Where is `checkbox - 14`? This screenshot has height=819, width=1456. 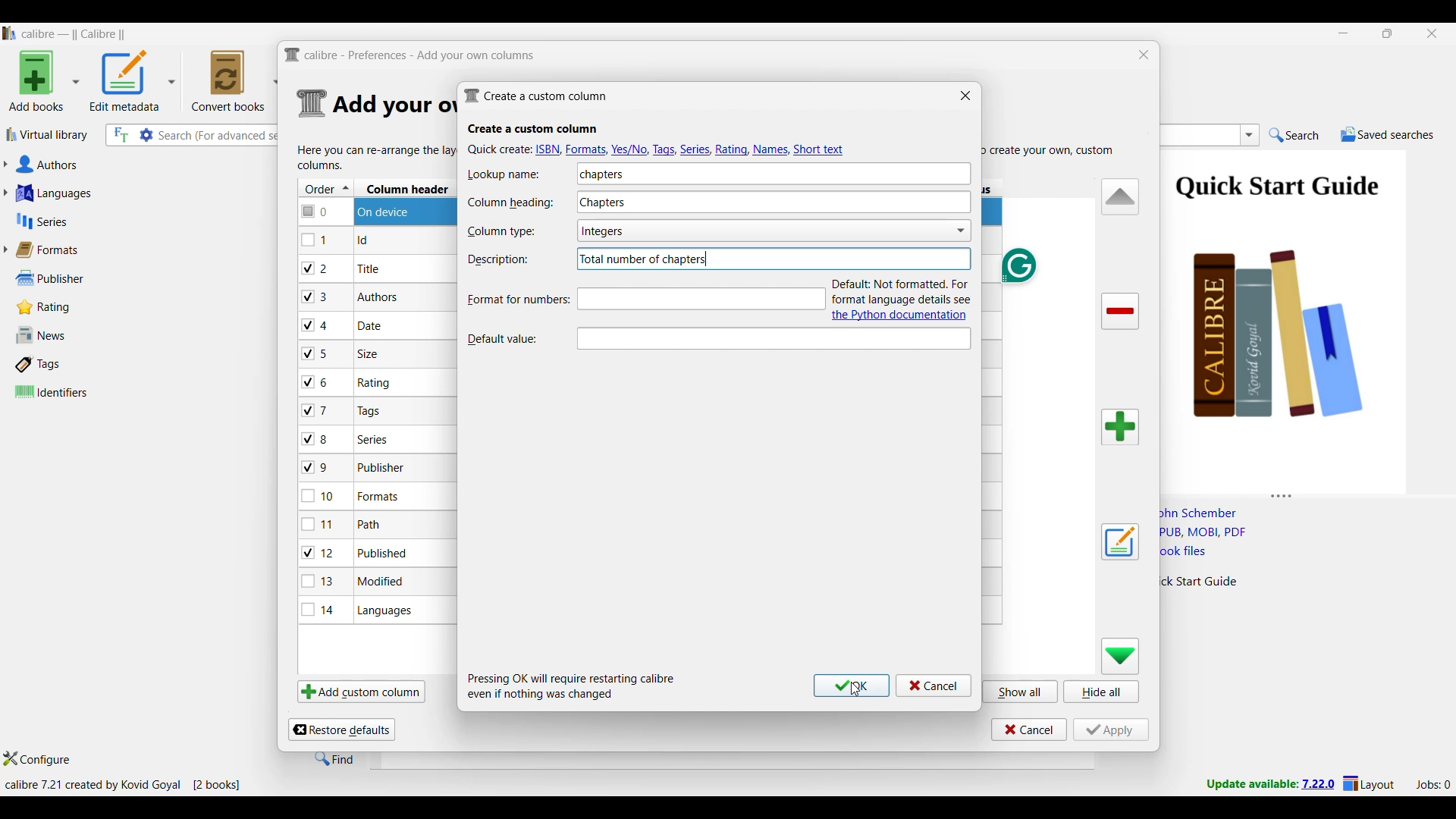 checkbox - 14 is located at coordinates (318, 609).